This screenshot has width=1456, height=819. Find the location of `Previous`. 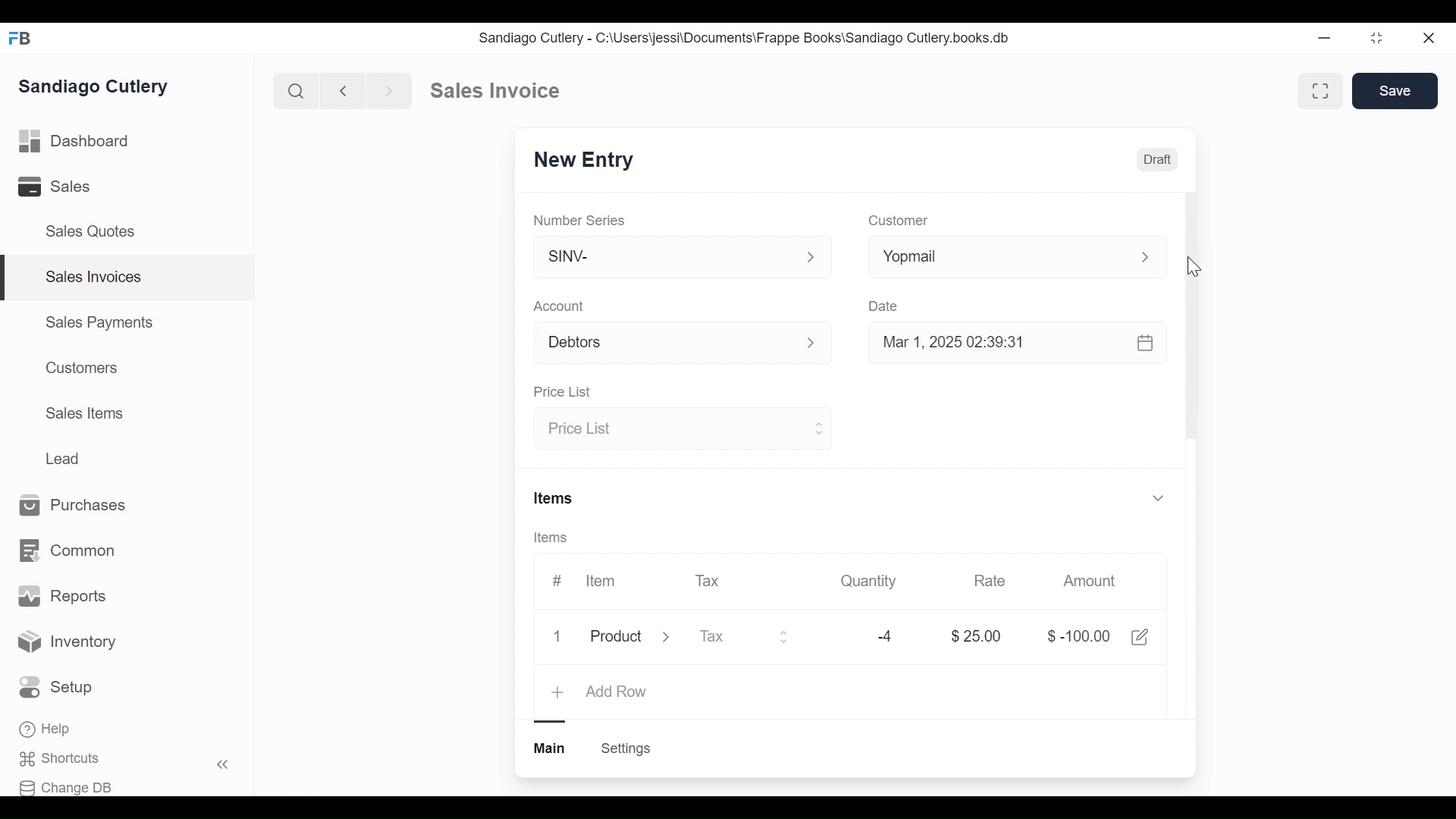

Previous is located at coordinates (344, 90).